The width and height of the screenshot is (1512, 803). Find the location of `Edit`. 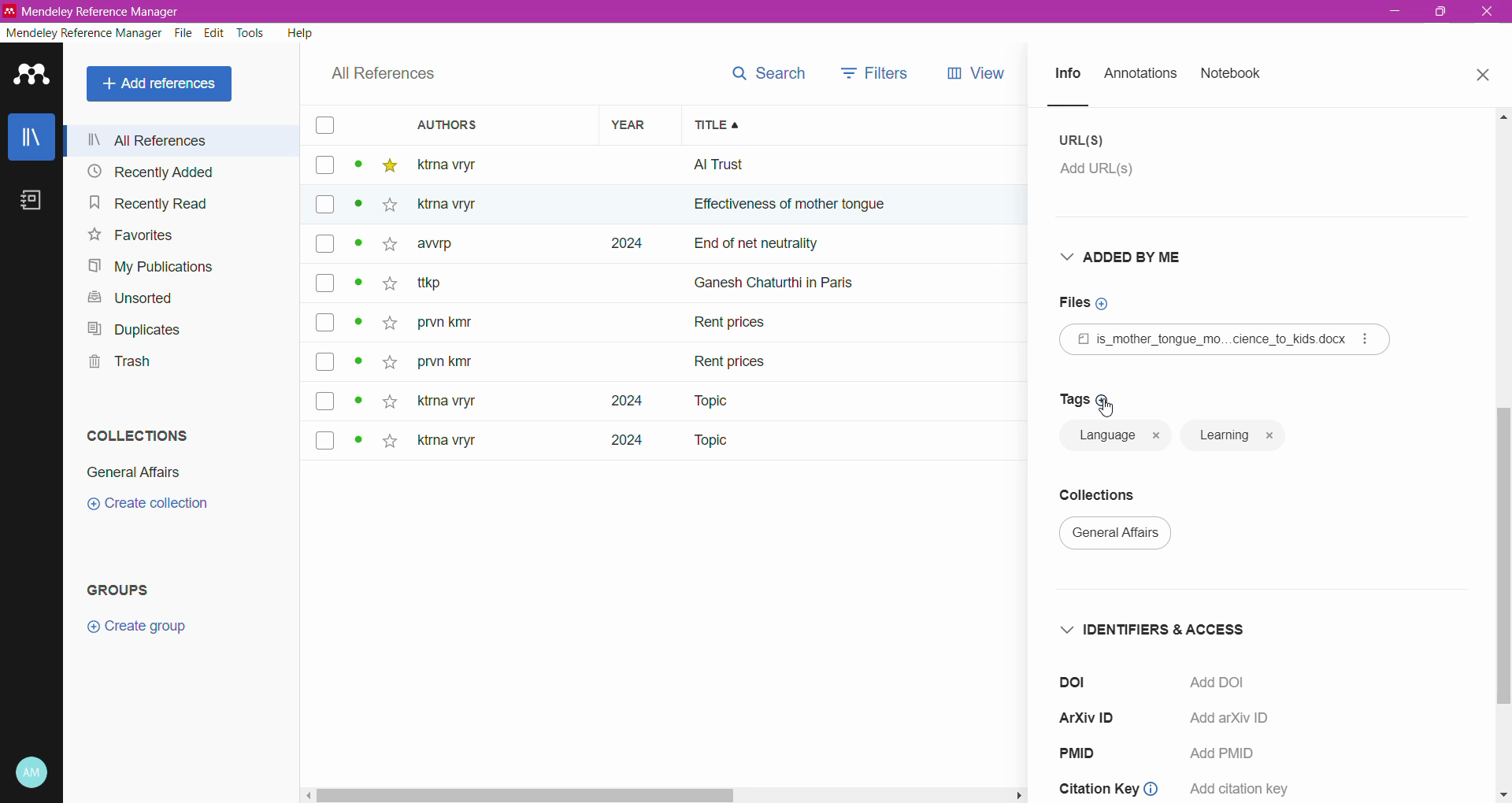

Edit is located at coordinates (216, 33).